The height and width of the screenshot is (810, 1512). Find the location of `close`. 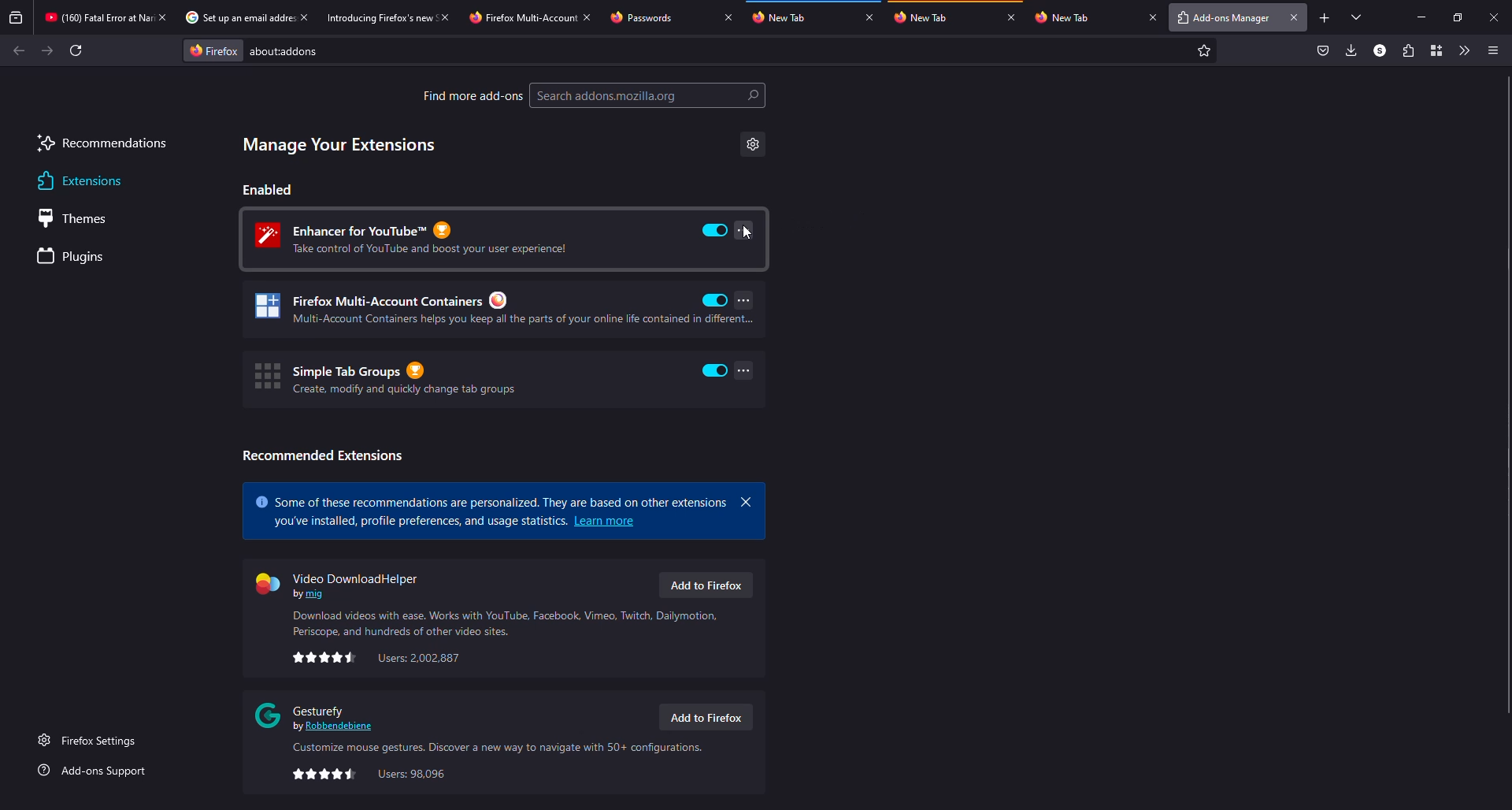

close is located at coordinates (304, 17).